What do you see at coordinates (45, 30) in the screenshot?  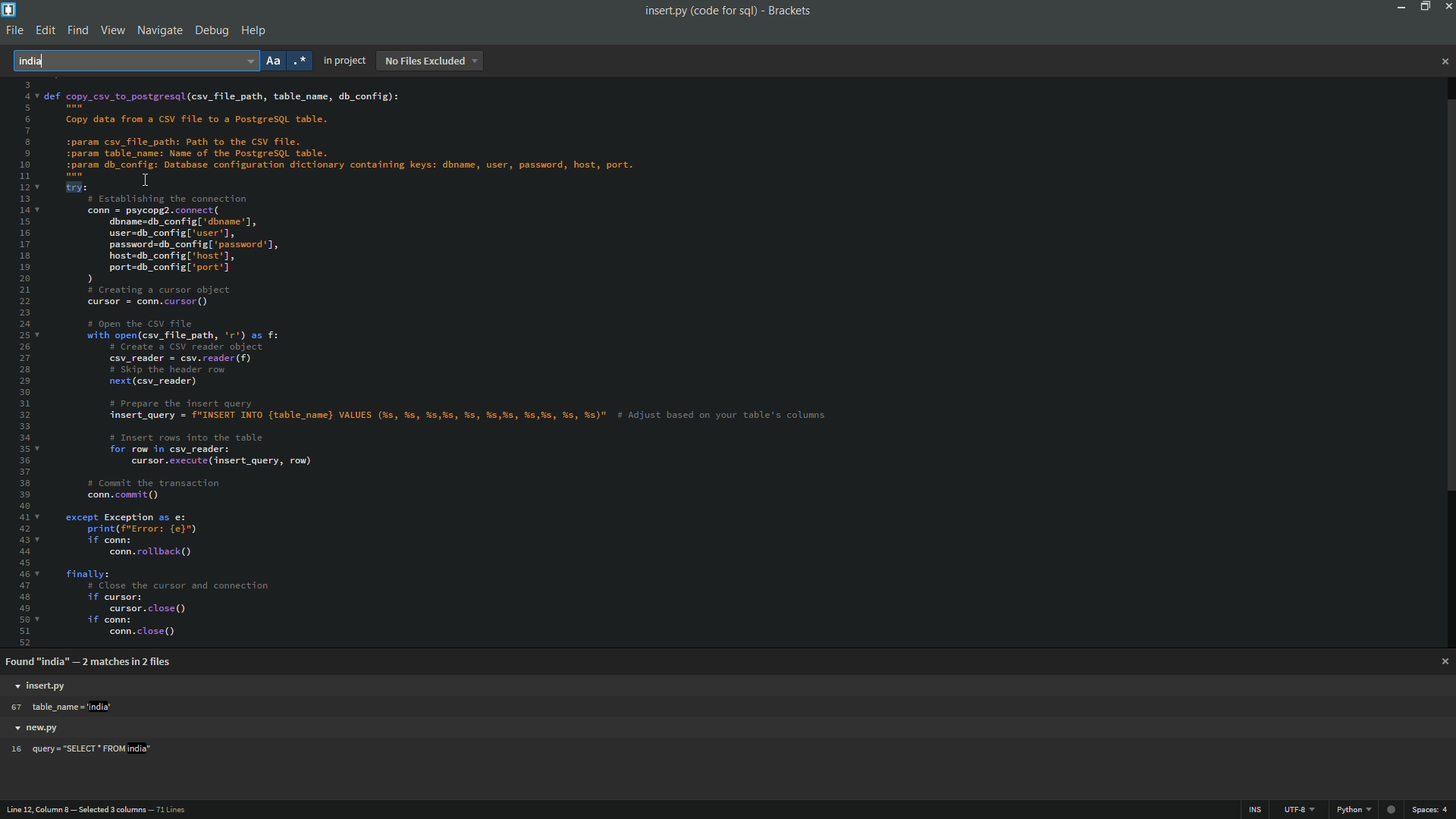 I see `edit menu` at bounding box center [45, 30].